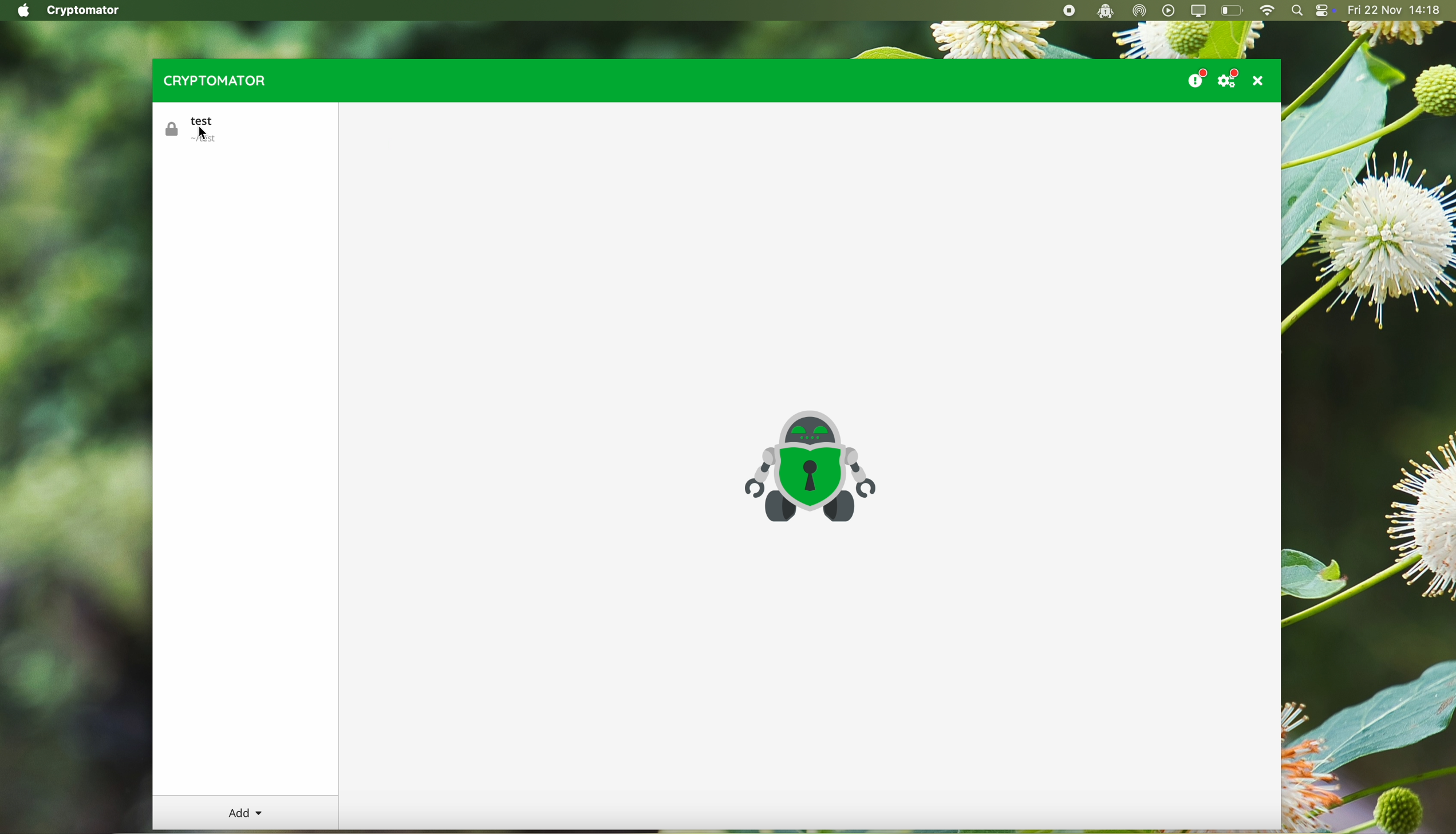 This screenshot has height=834, width=1456. What do you see at coordinates (85, 11) in the screenshot?
I see `Cryptomator` at bounding box center [85, 11].